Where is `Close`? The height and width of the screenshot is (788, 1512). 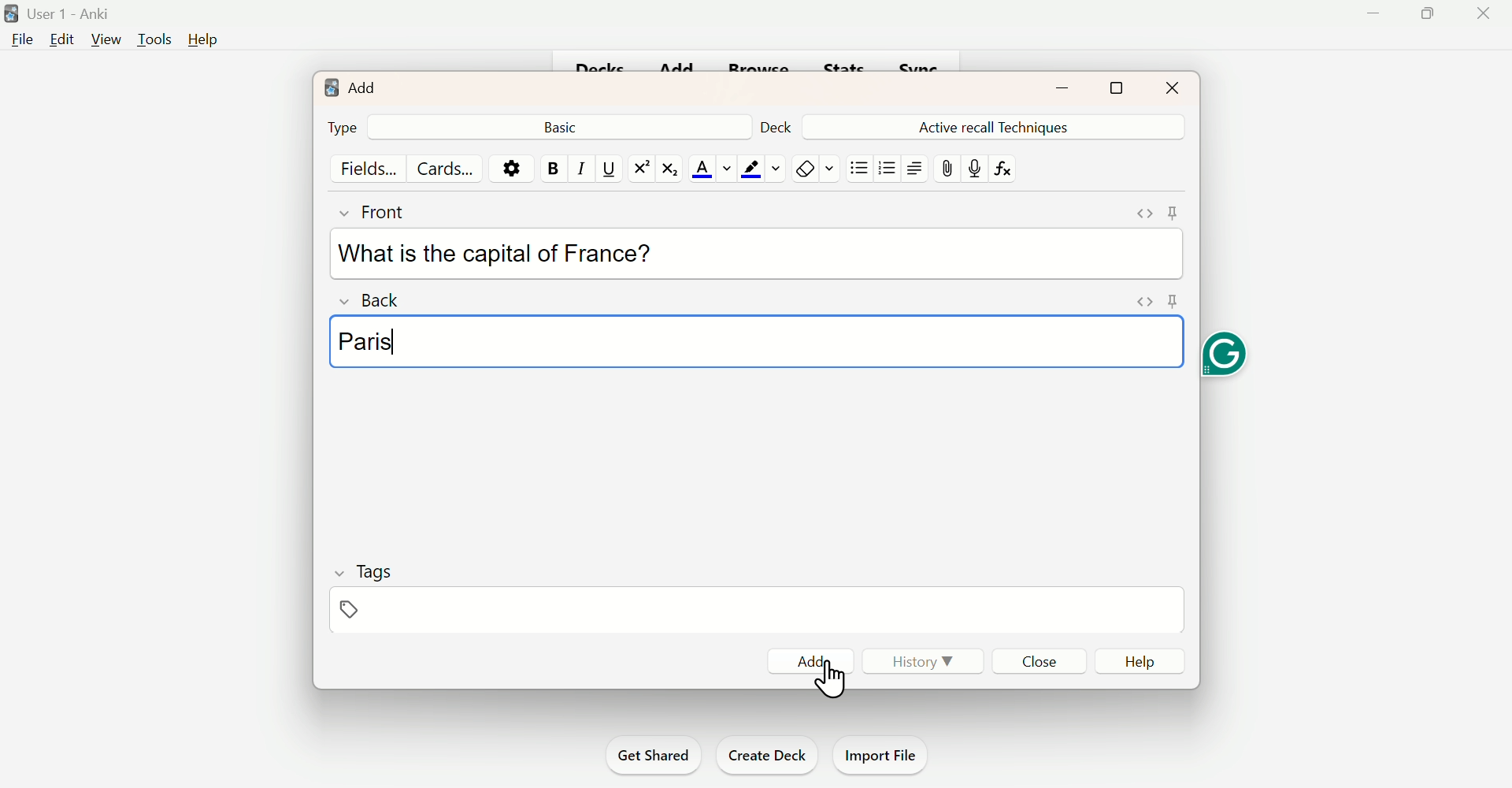 Close is located at coordinates (1043, 663).